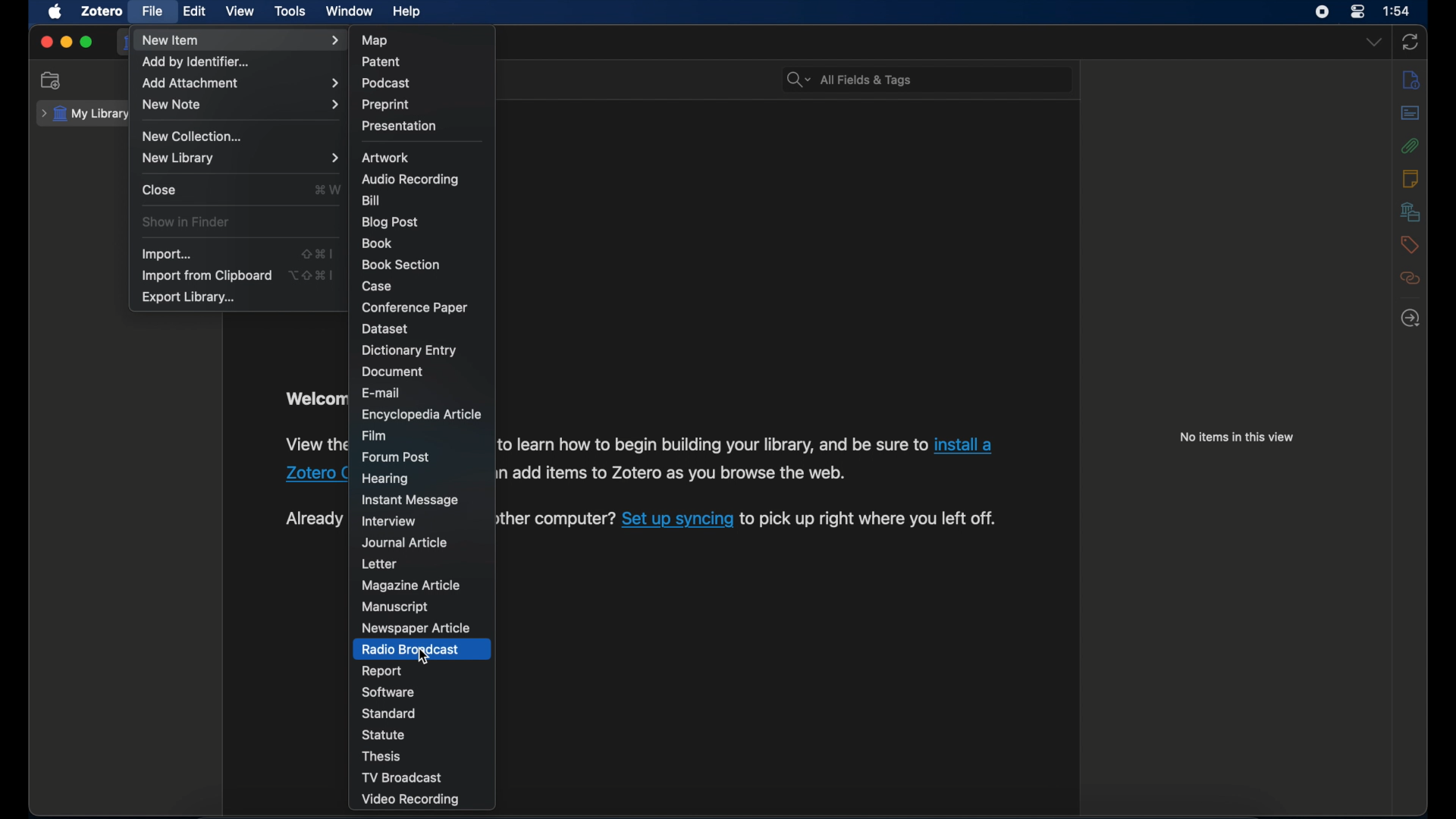 The height and width of the screenshot is (819, 1456). Describe the element at coordinates (925, 77) in the screenshot. I see `All Fields & Tags` at that location.